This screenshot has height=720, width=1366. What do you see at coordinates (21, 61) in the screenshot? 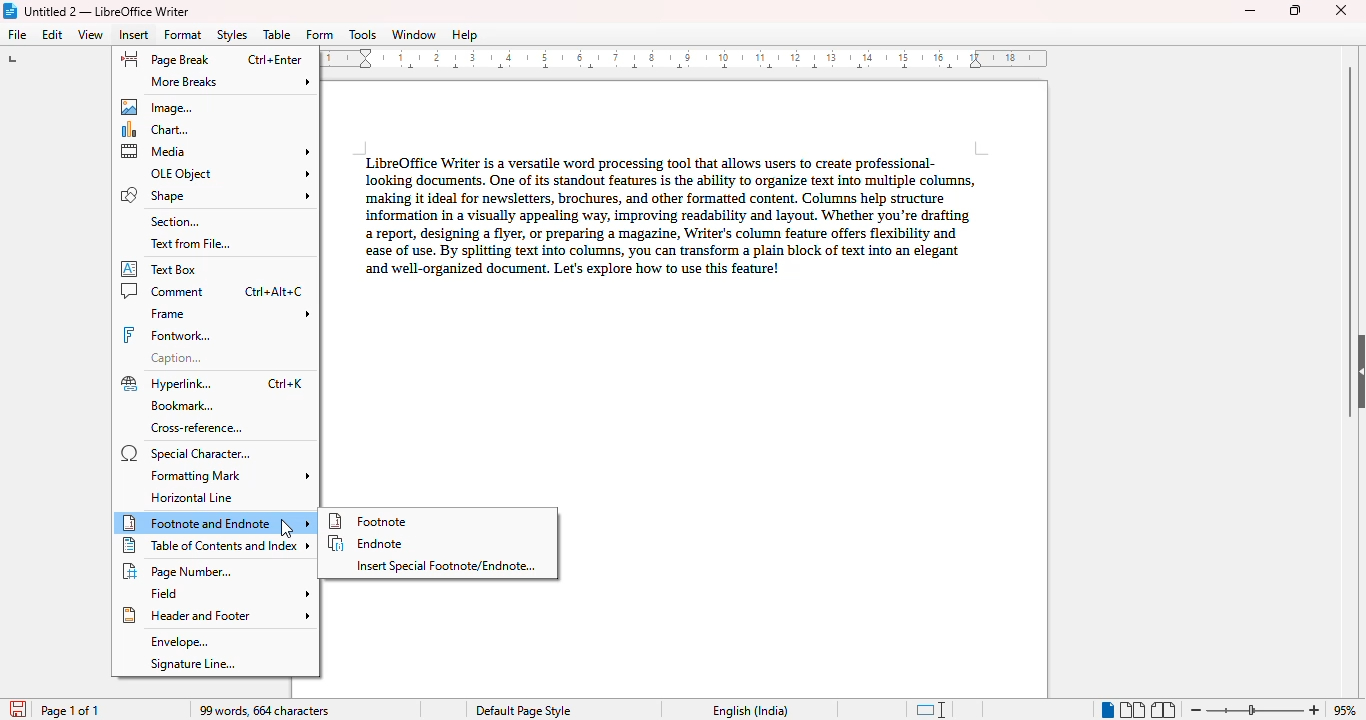
I see `tab stop` at bounding box center [21, 61].